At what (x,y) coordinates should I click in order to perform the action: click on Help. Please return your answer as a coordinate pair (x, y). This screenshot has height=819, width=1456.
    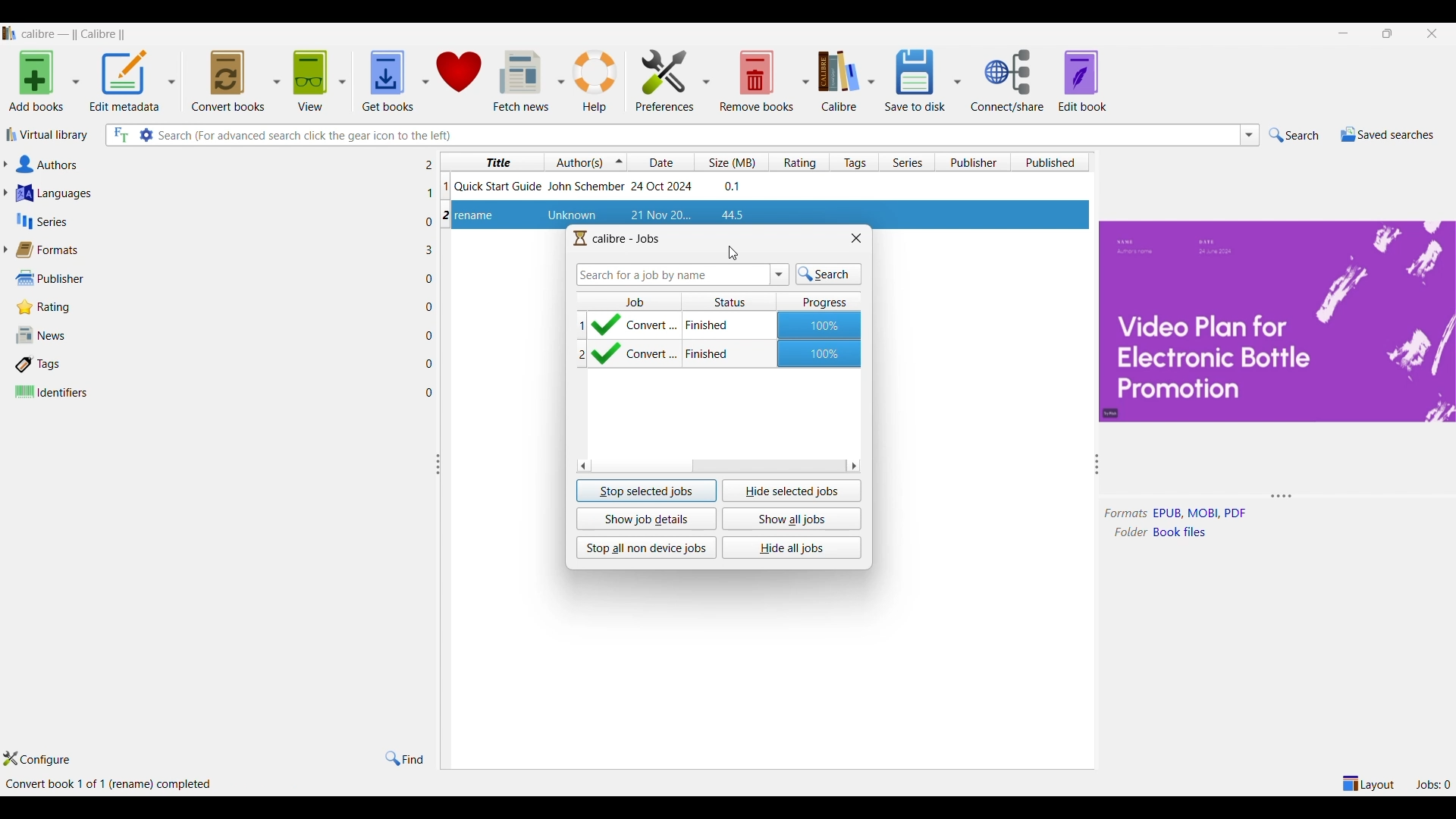
    Looking at the image, I should click on (596, 81).